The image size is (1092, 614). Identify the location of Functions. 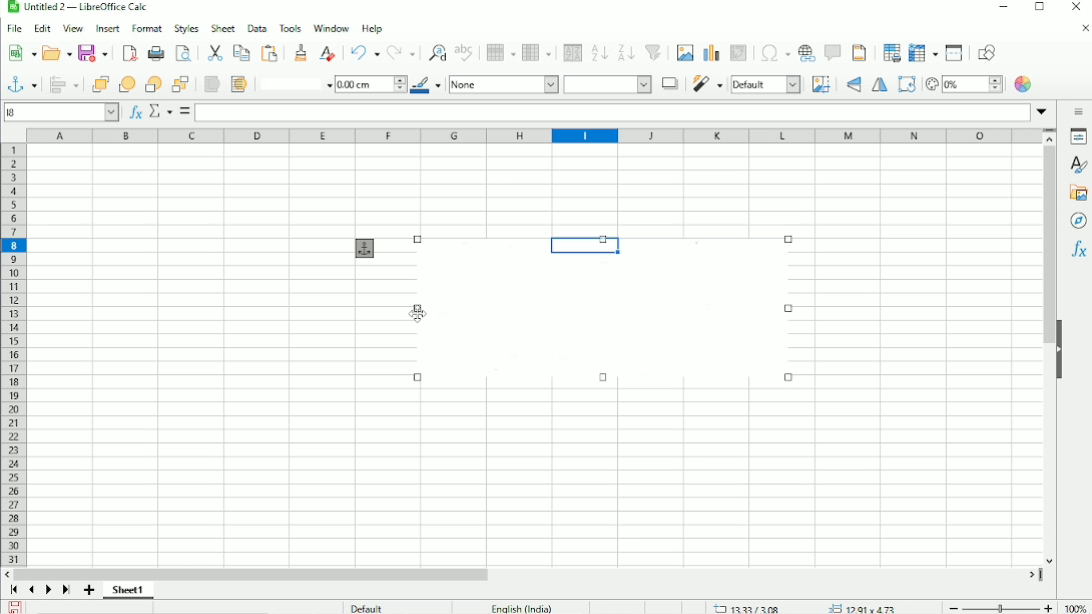
(1078, 251).